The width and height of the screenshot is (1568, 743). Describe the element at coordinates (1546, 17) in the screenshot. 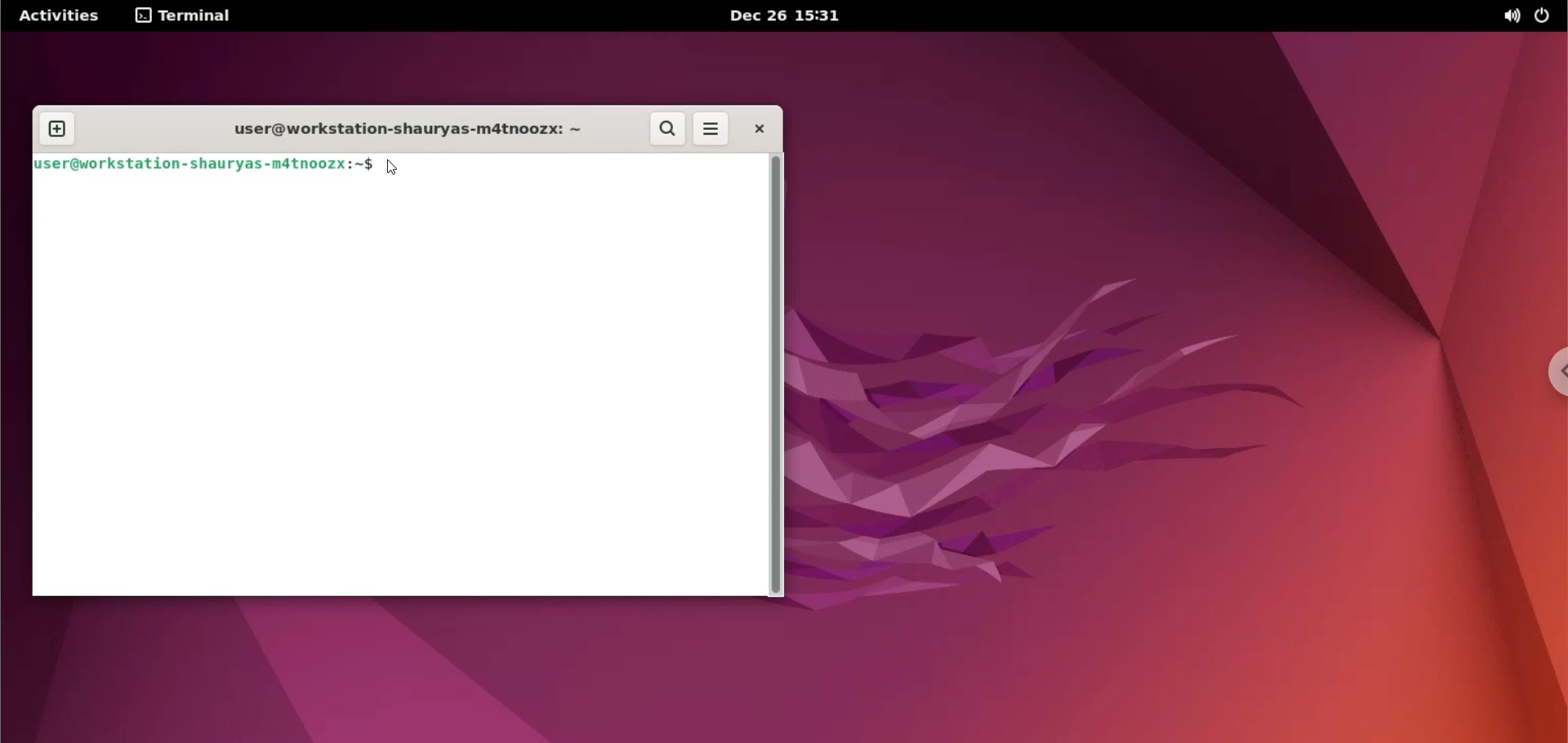

I see `power options` at that location.